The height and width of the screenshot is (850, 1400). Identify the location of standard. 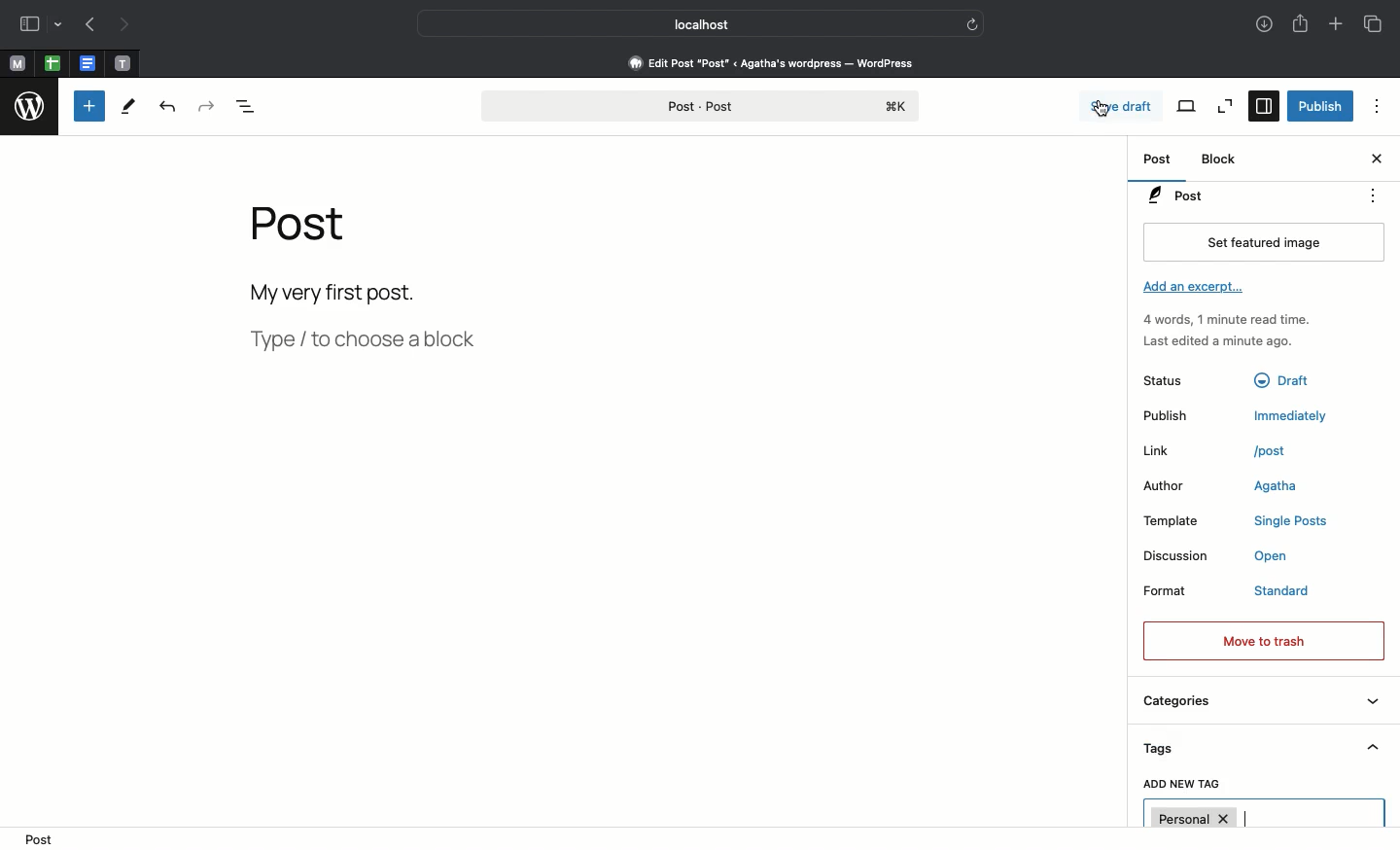
(1284, 592).